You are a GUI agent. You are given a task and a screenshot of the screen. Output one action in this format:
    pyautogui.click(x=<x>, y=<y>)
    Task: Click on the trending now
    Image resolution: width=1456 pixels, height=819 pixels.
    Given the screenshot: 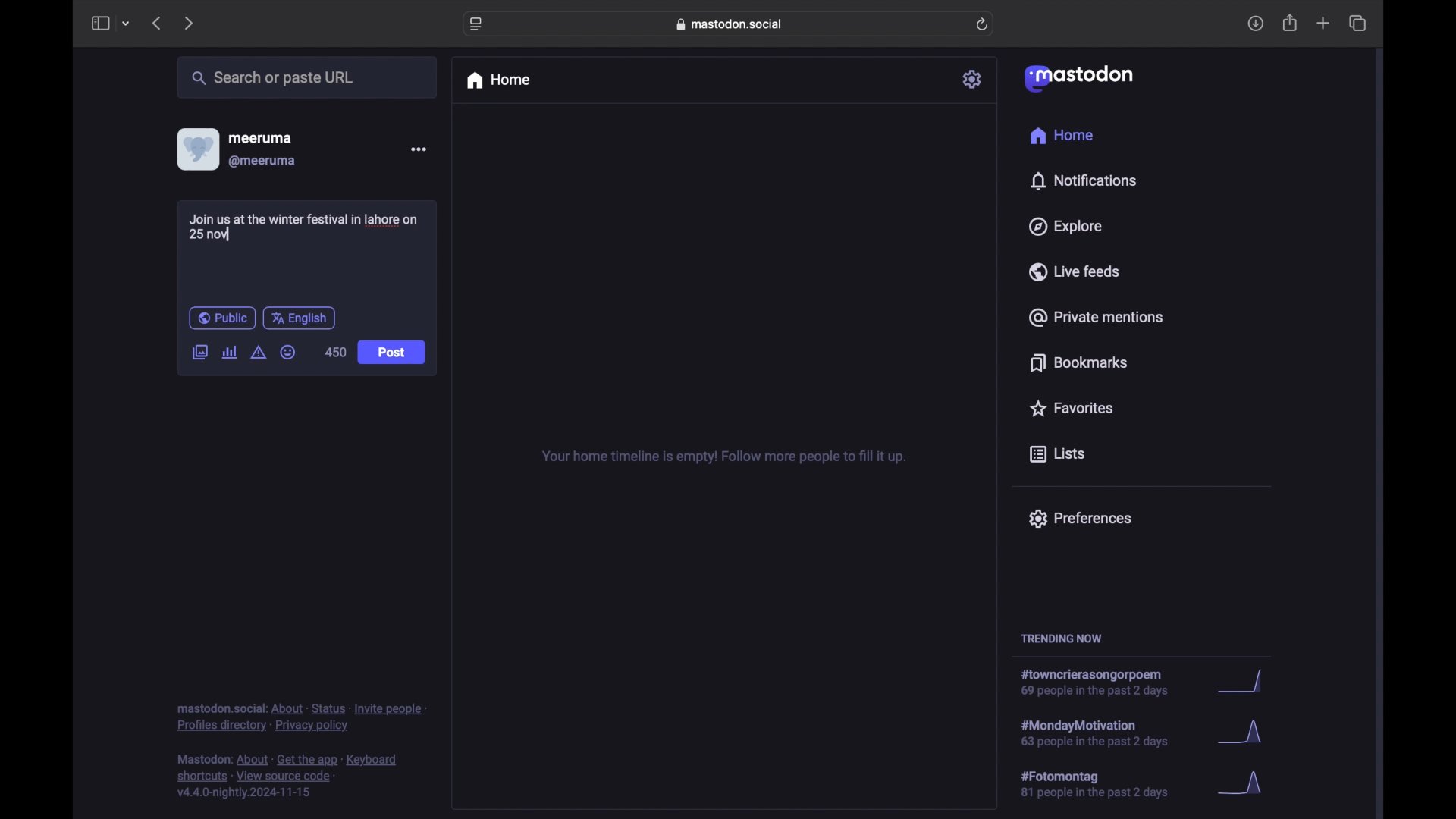 What is the action you would take?
    pyautogui.click(x=1061, y=639)
    